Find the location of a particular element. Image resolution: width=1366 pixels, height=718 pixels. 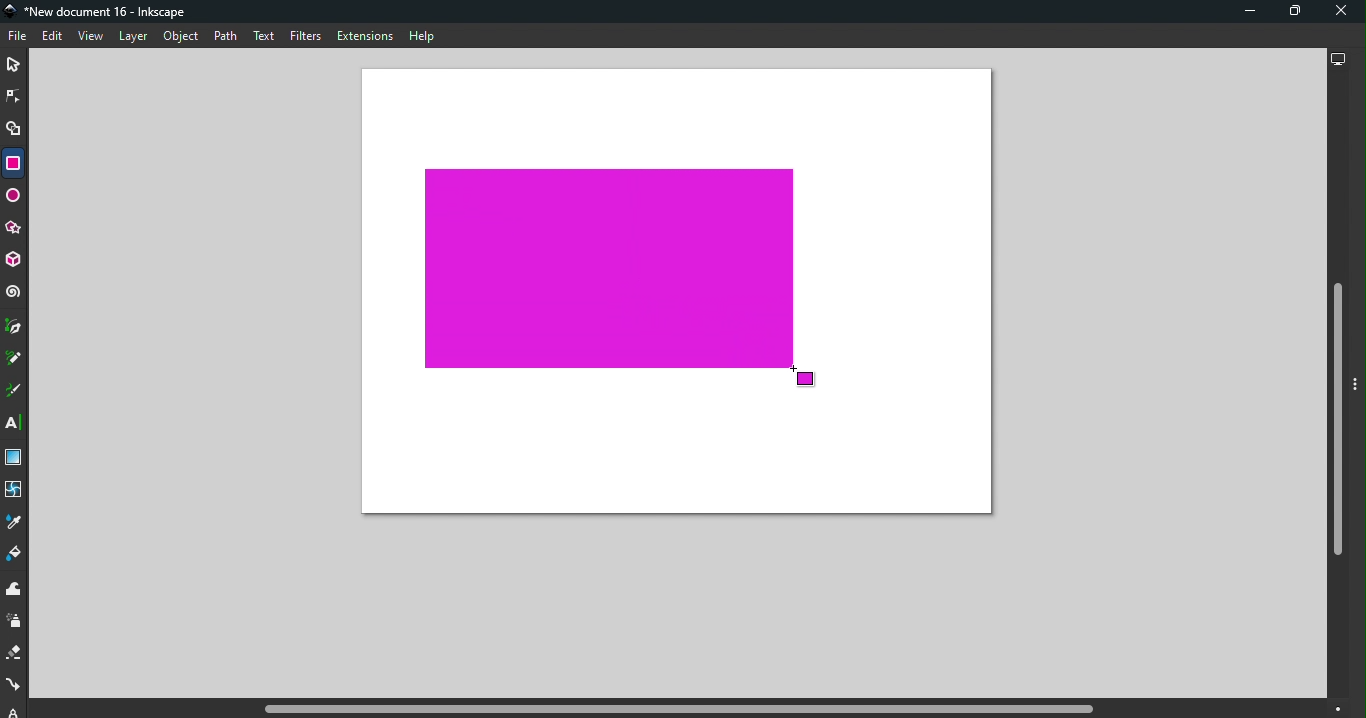

Extensions is located at coordinates (363, 35).